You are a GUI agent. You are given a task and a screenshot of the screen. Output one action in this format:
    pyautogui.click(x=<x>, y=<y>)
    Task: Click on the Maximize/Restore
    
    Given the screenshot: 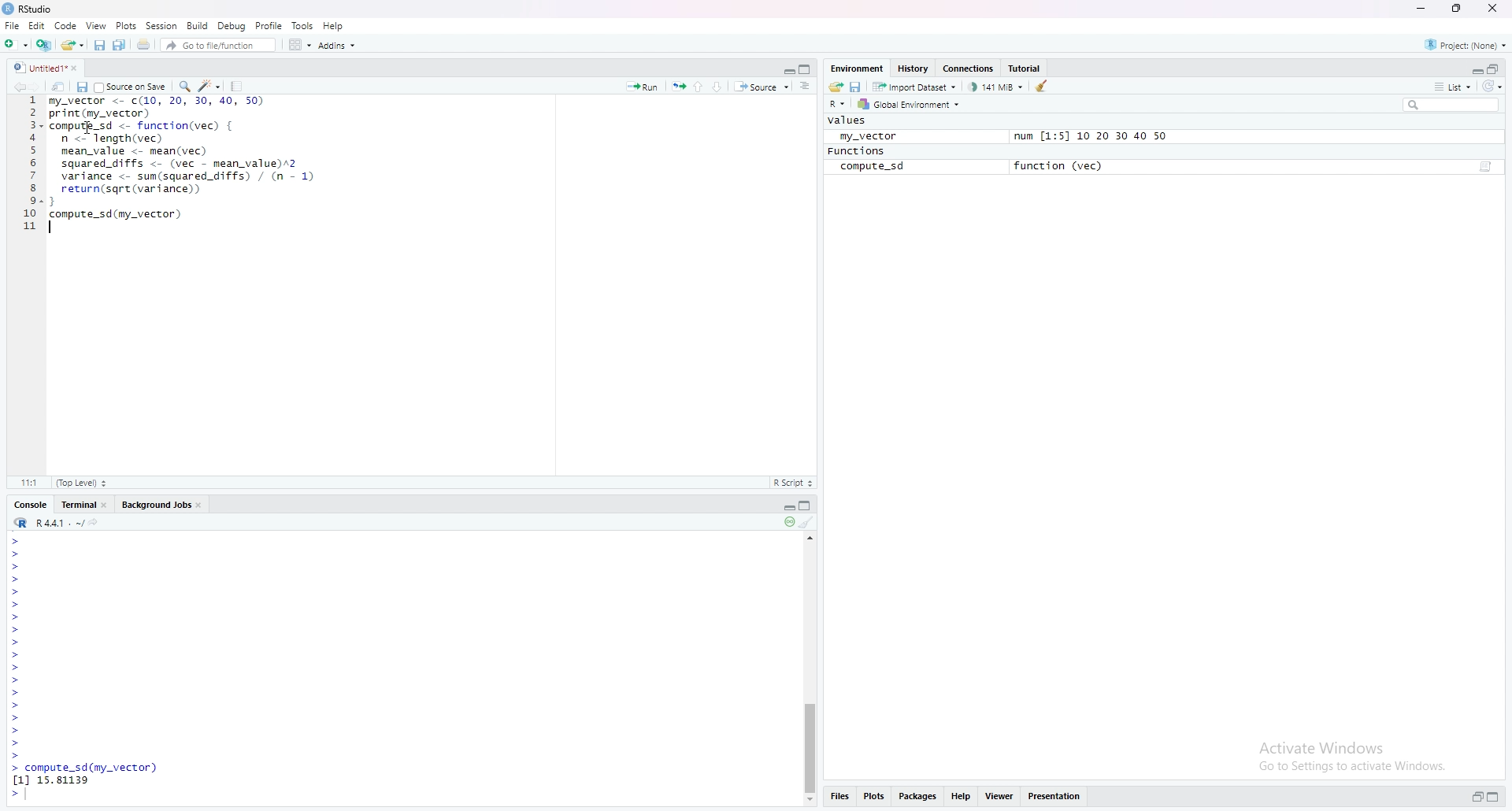 What is the action you would take?
    pyautogui.click(x=1455, y=9)
    